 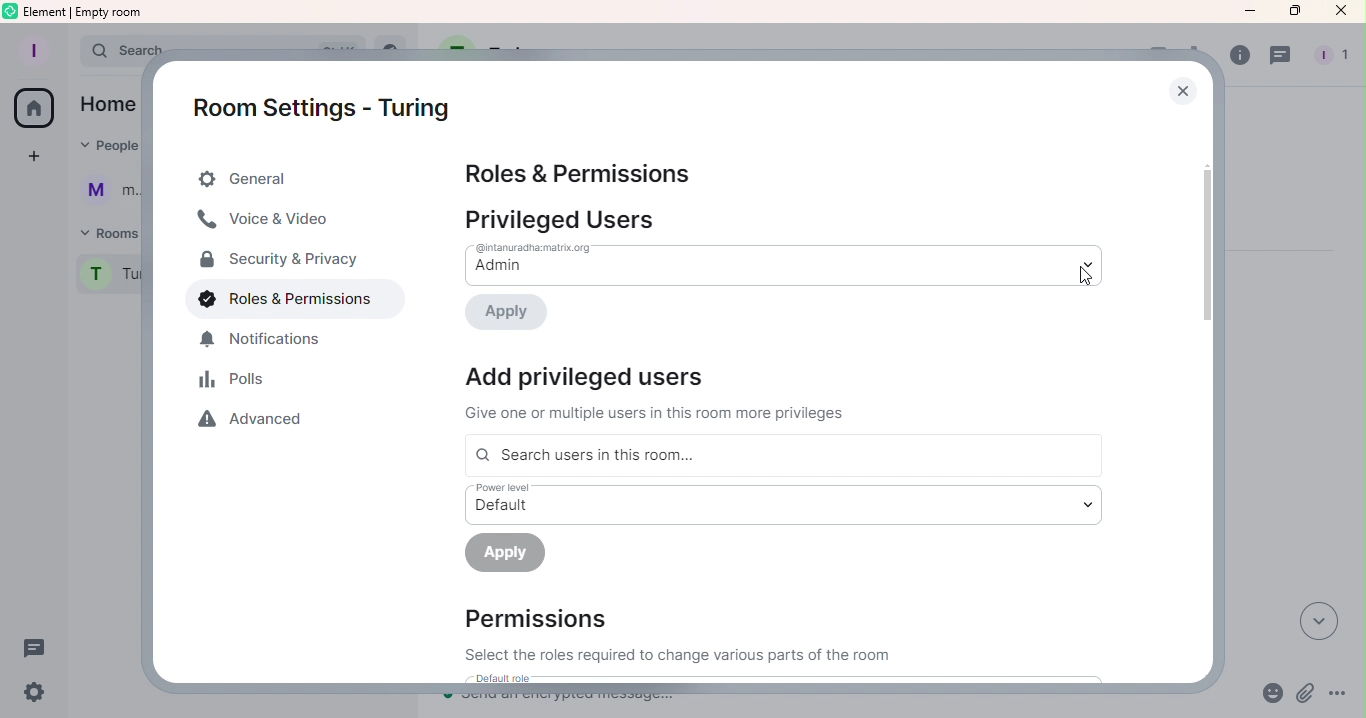 What do you see at coordinates (1303, 696) in the screenshot?
I see `Attachment` at bounding box center [1303, 696].